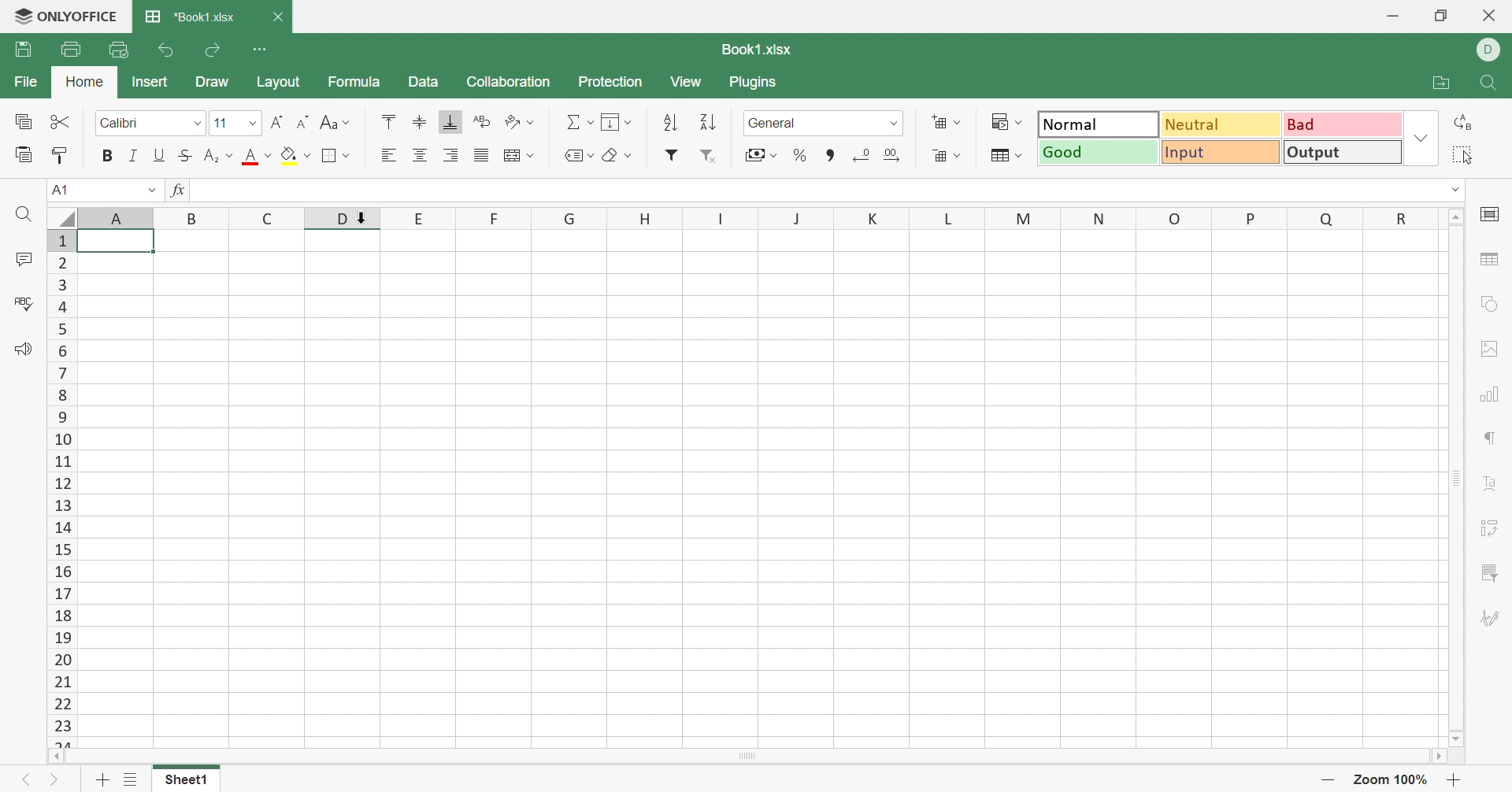 The width and height of the screenshot is (1512, 792). Describe the element at coordinates (59, 780) in the screenshot. I see `Next` at that location.